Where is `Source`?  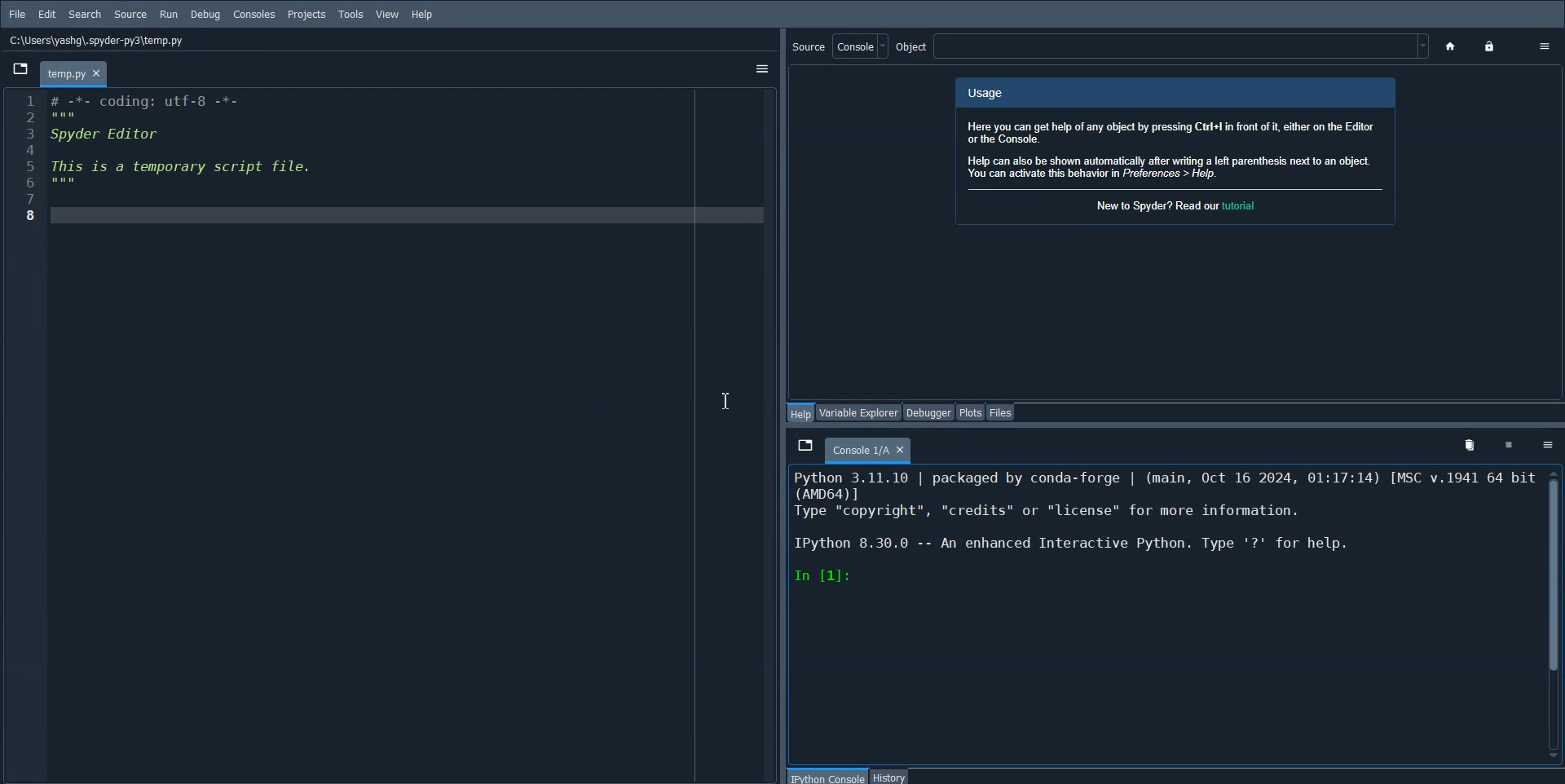 Source is located at coordinates (840, 46).